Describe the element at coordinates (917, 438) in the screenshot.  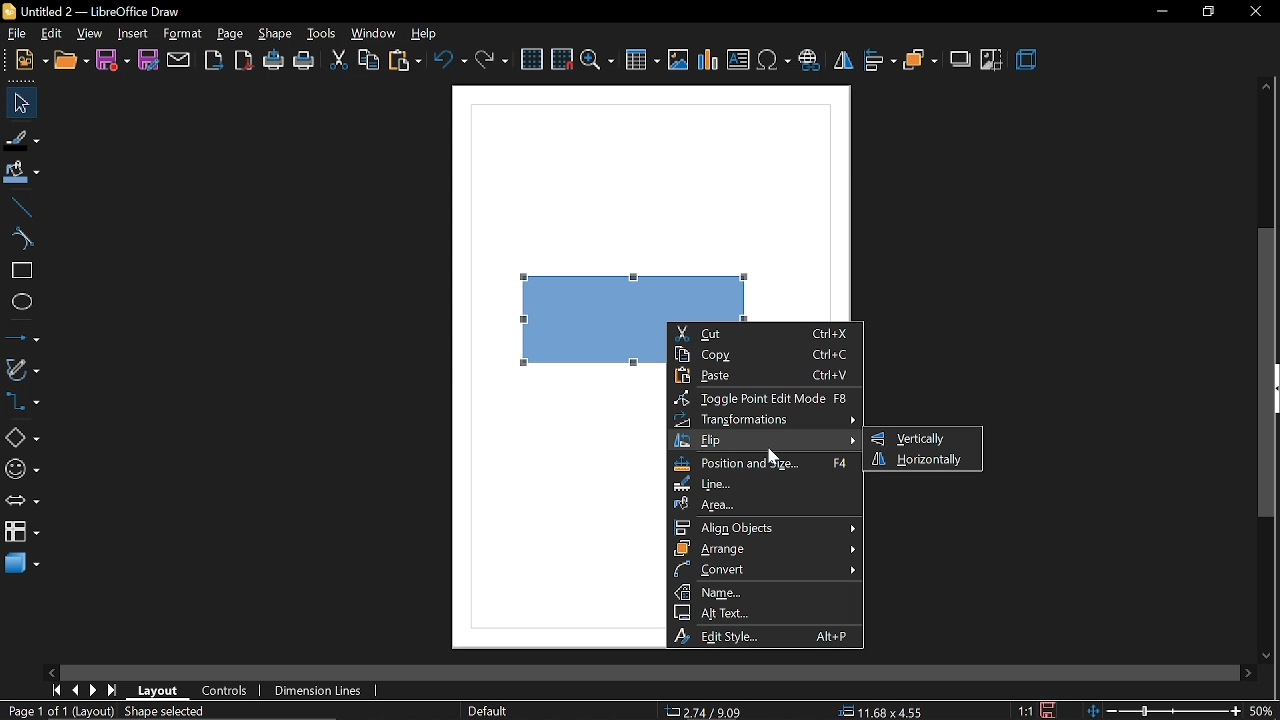
I see `vertically` at that location.